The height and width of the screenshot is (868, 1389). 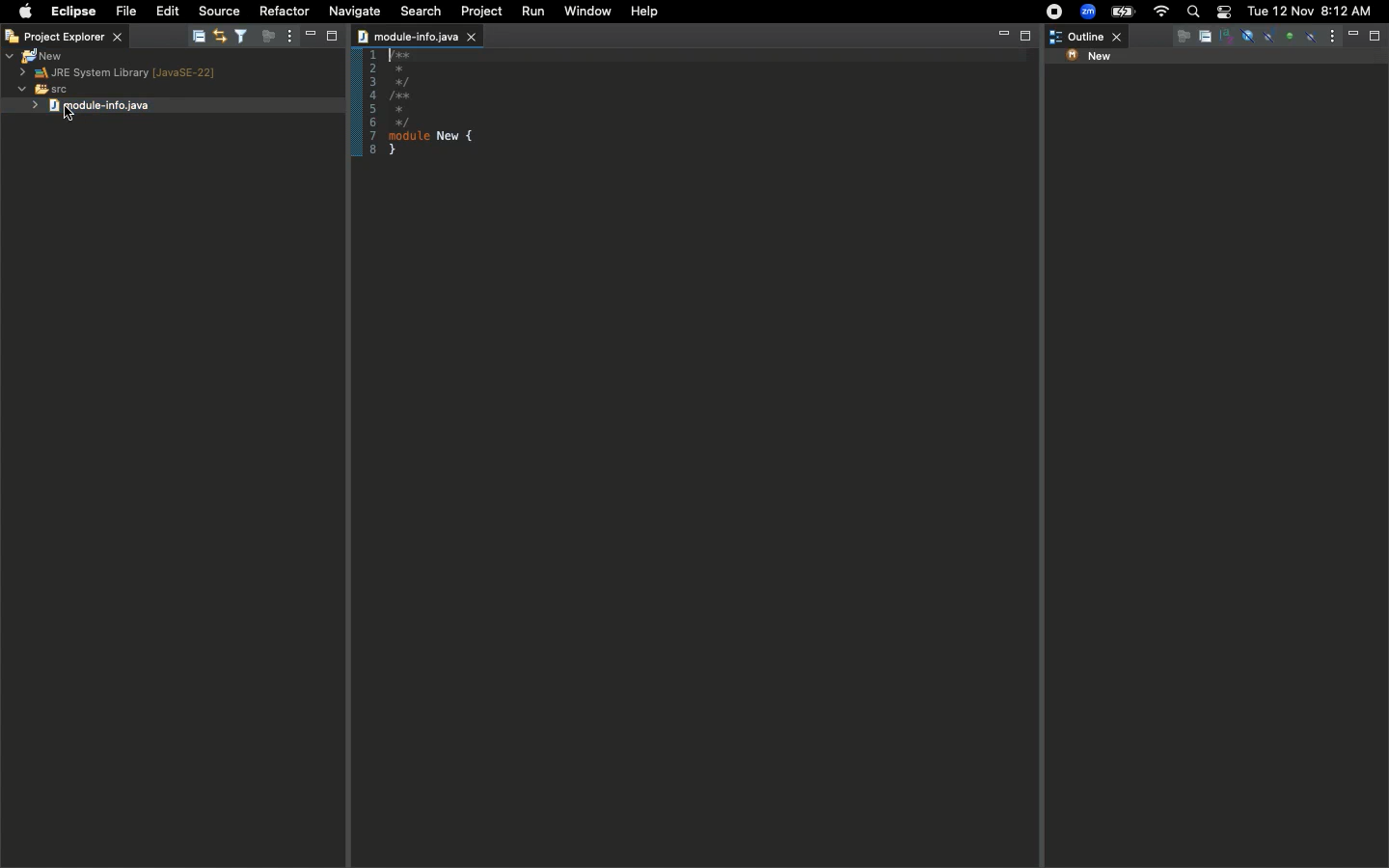 What do you see at coordinates (1085, 12) in the screenshot?
I see `Zoom` at bounding box center [1085, 12].